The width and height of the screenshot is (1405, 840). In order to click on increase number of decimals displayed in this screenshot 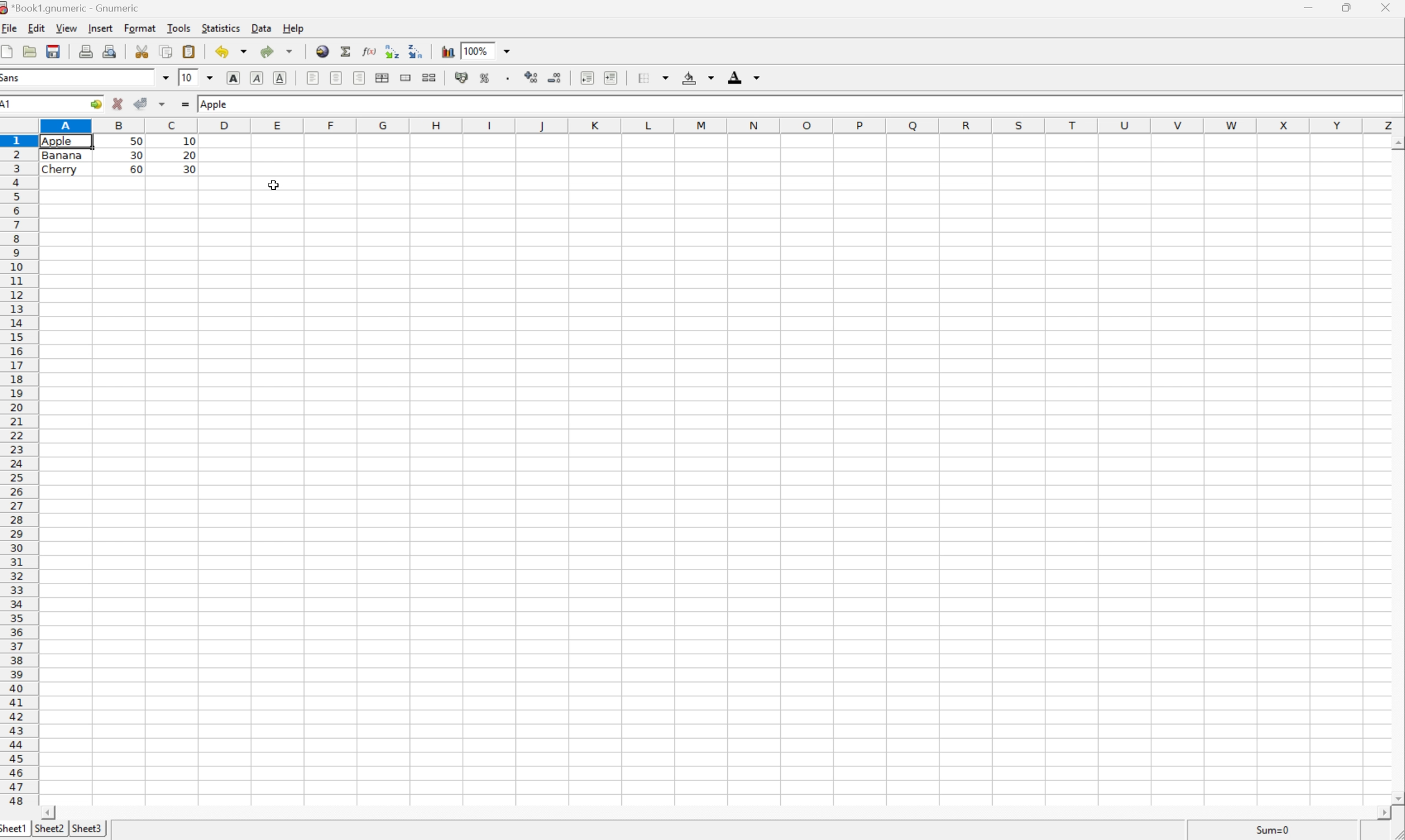, I will do `click(531, 76)`.